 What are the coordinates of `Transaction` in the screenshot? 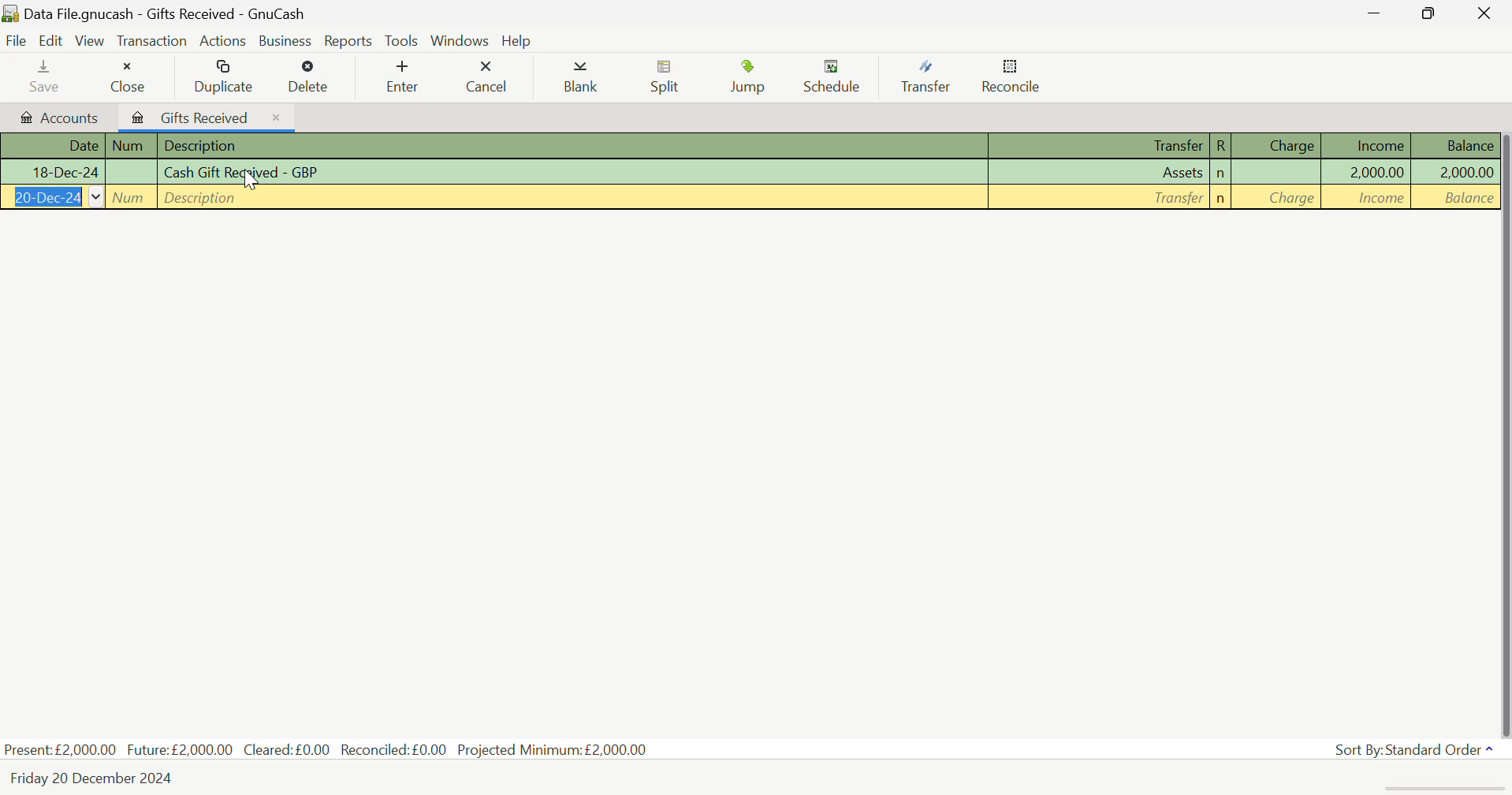 It's located at (151, 39).